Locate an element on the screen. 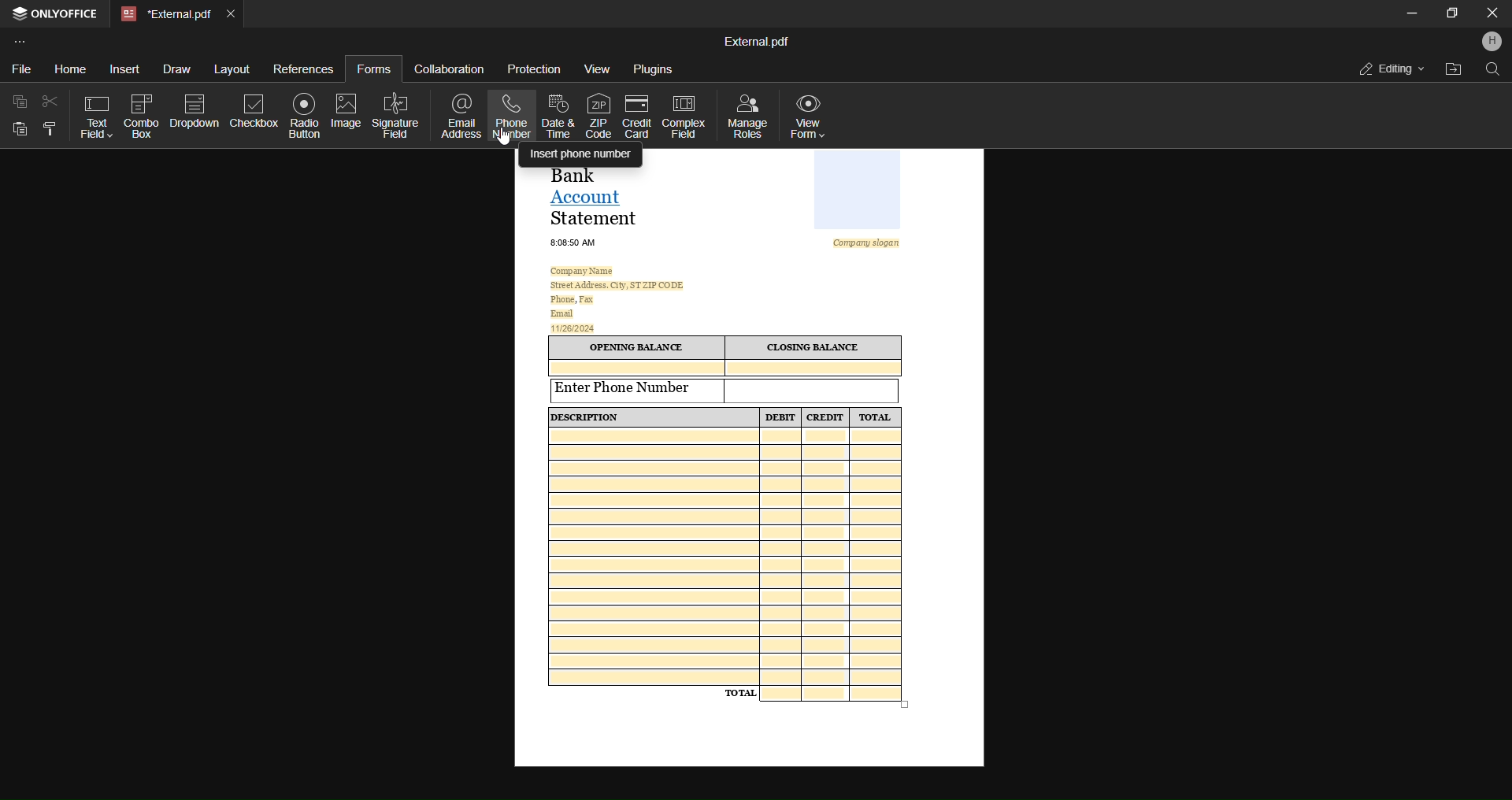  protection is located at coordinates (532, 71).